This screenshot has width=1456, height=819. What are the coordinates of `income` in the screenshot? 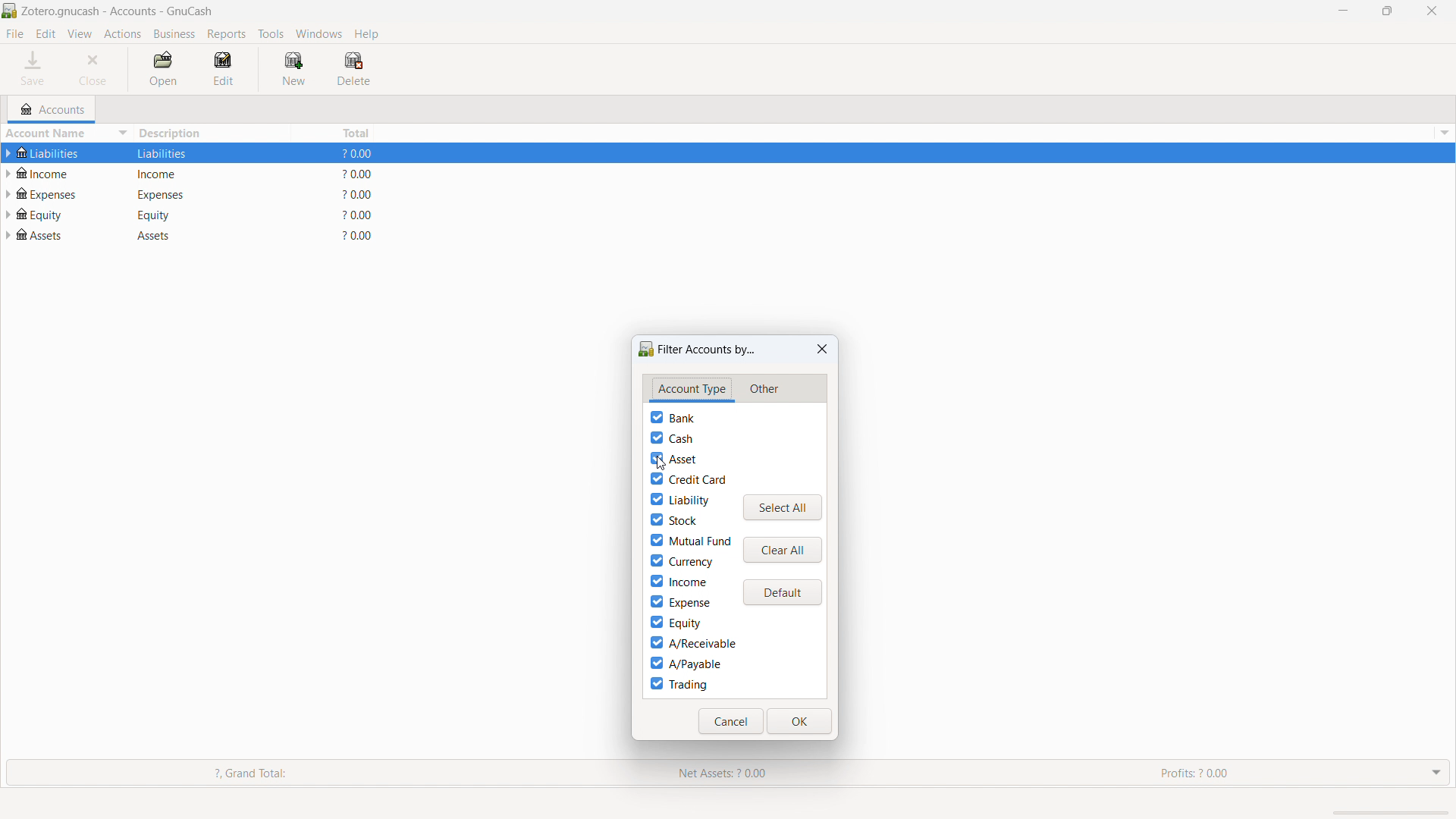 It's located at (679, 581).